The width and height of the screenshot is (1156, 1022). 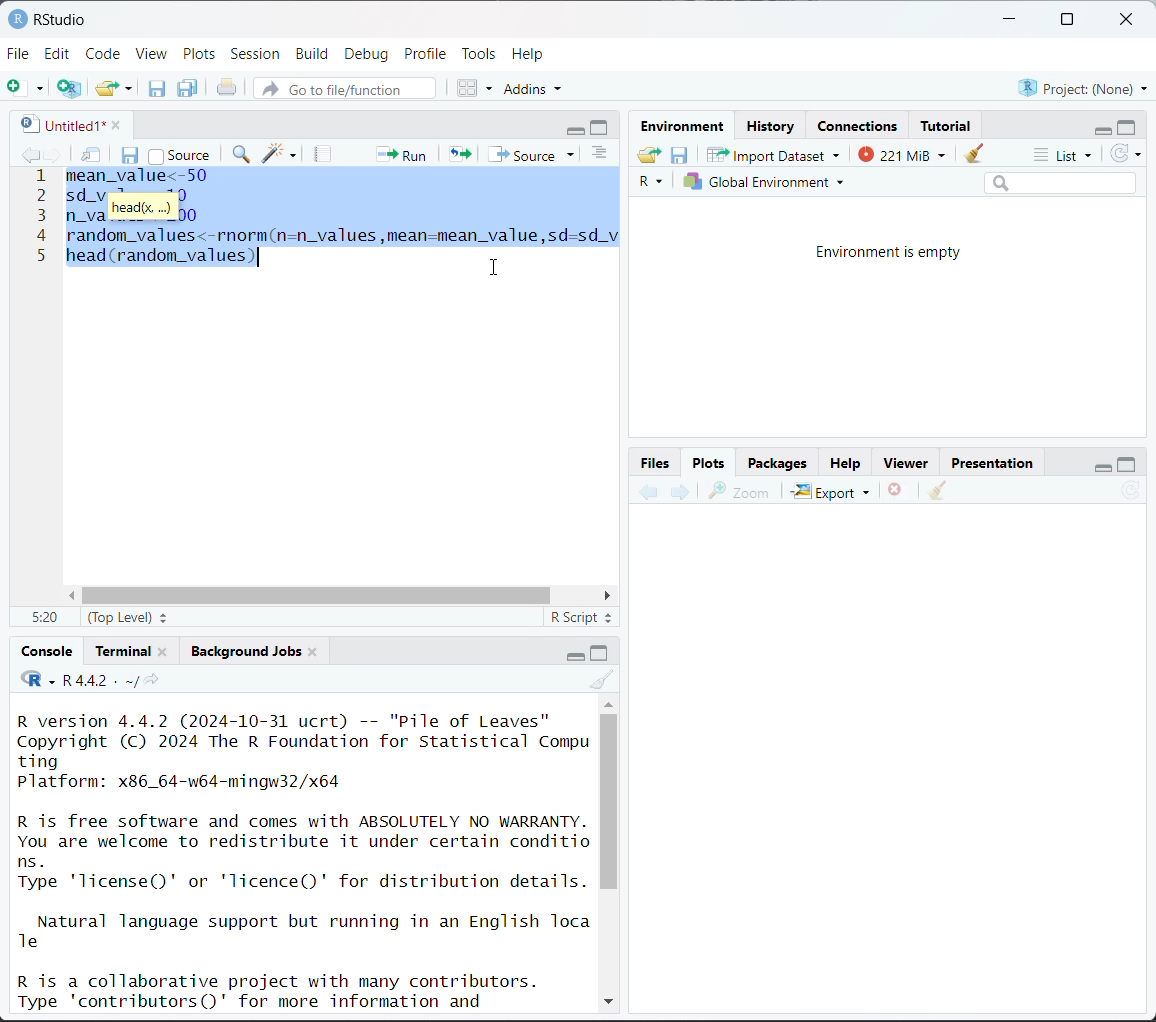 I want to click on untitled1, so click(x=58, y=124).